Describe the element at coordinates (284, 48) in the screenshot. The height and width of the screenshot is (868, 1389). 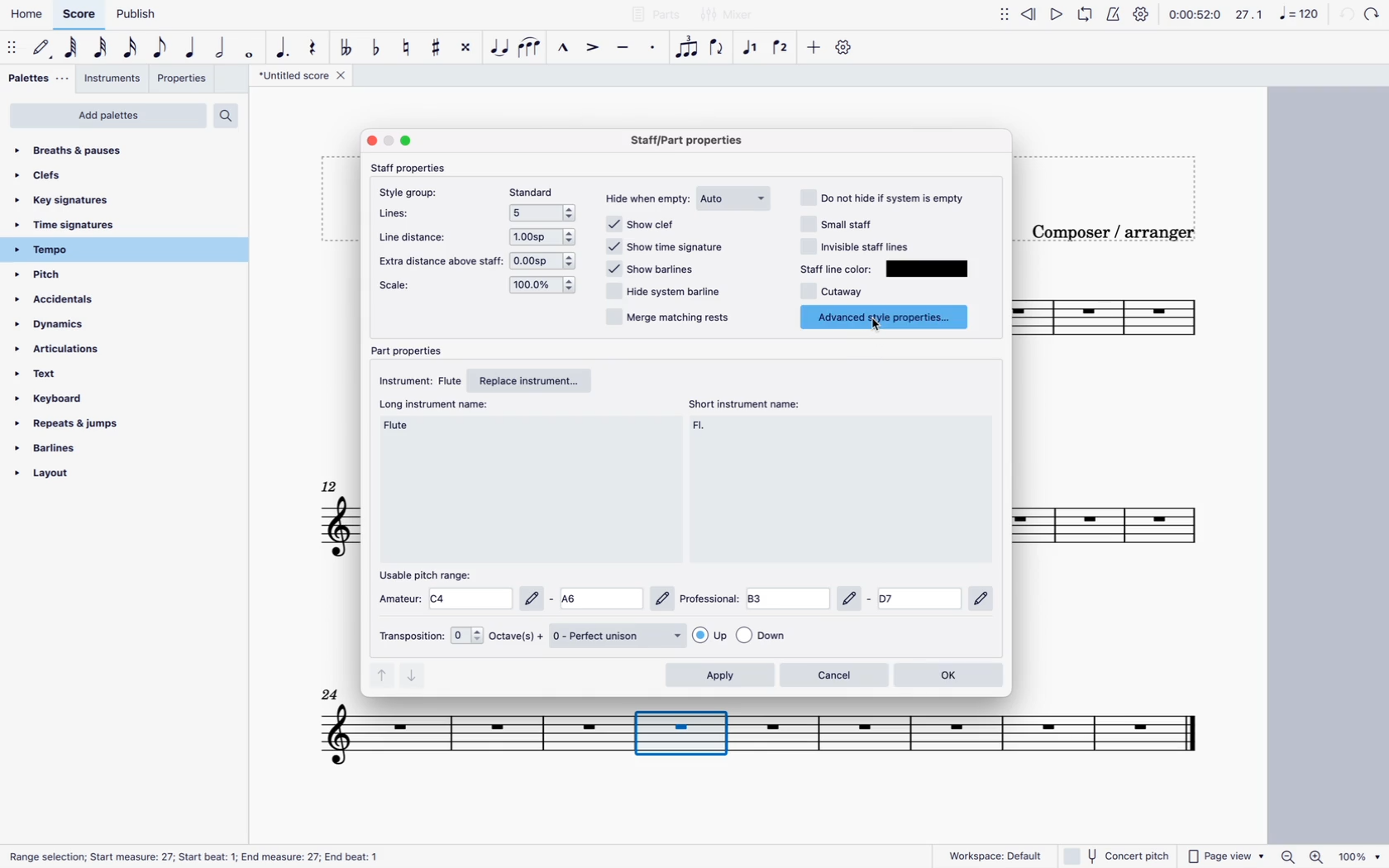
I see `augmentative dot` at that location.